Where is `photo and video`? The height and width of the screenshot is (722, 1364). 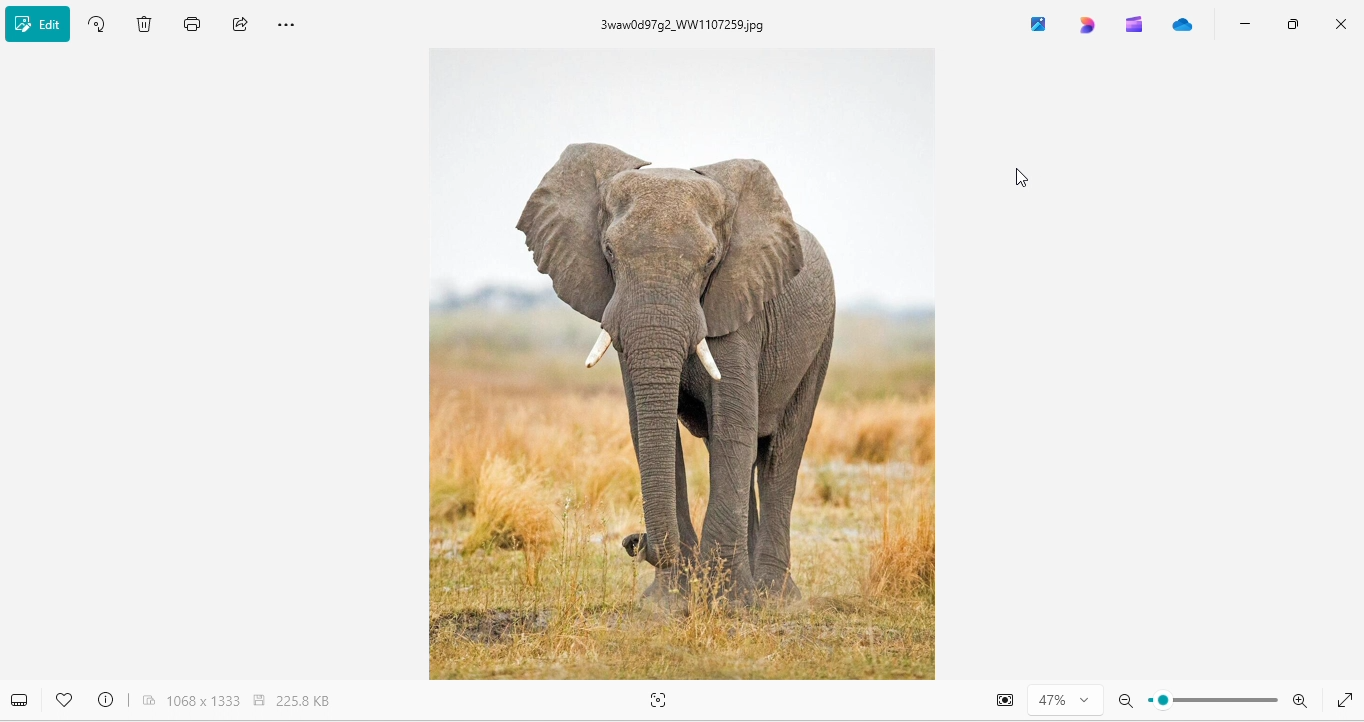
photo and video is located at coordinates (1044, 24).